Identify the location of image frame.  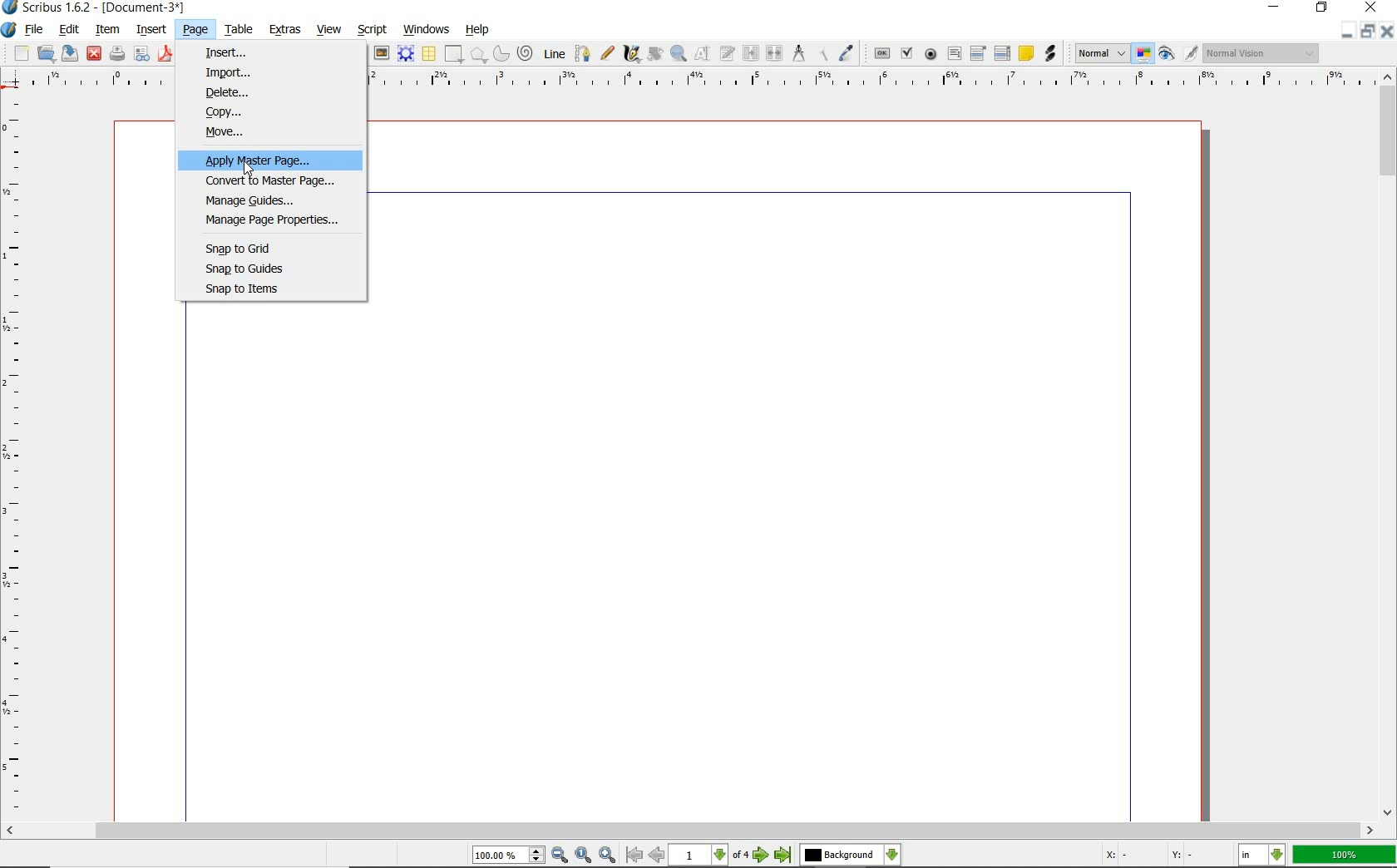
(380, 52).